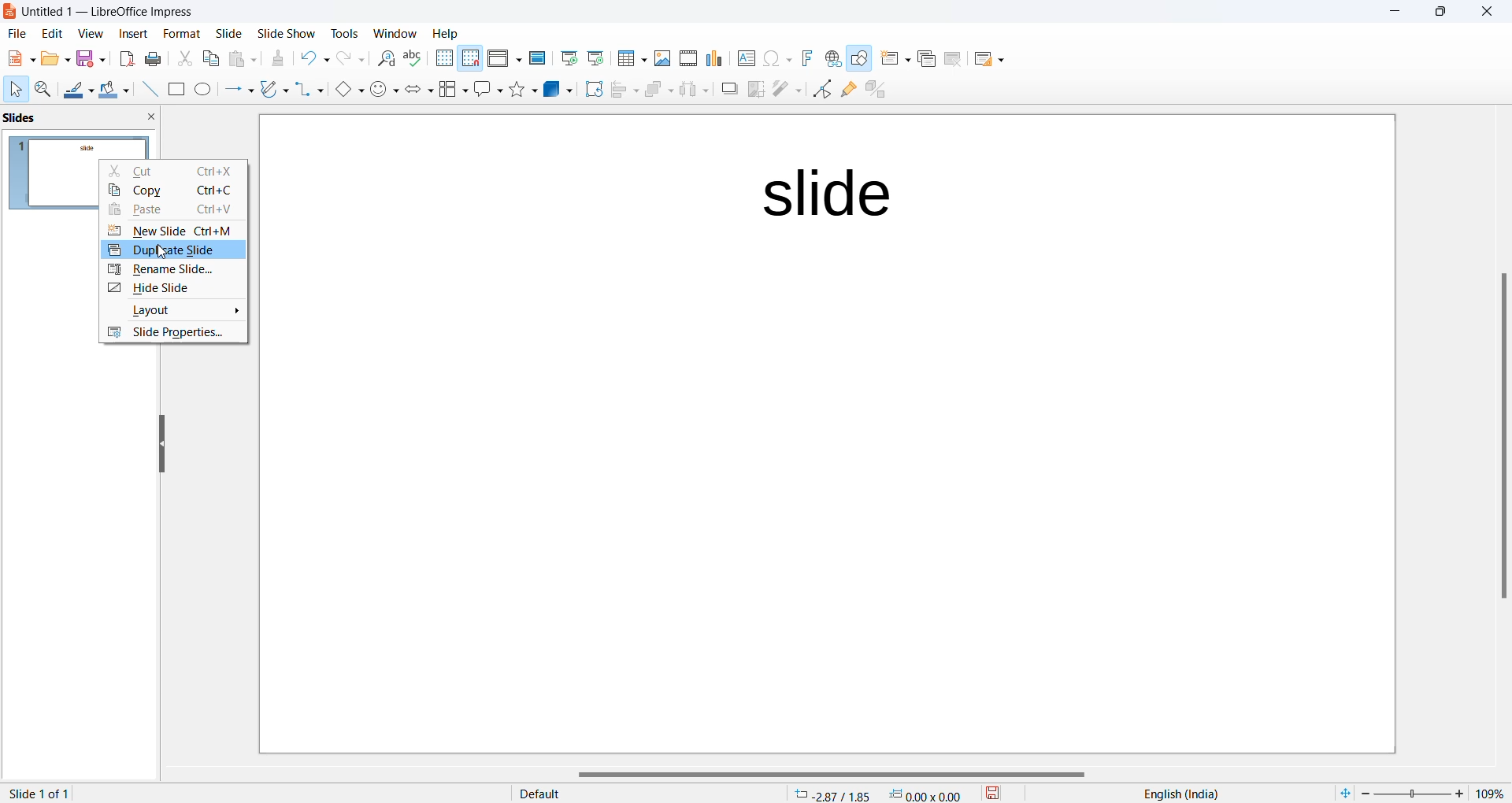  What do you see at coordinates (391, 31) in the screenshot?
I see `Window` at bounding box center [391, 31].